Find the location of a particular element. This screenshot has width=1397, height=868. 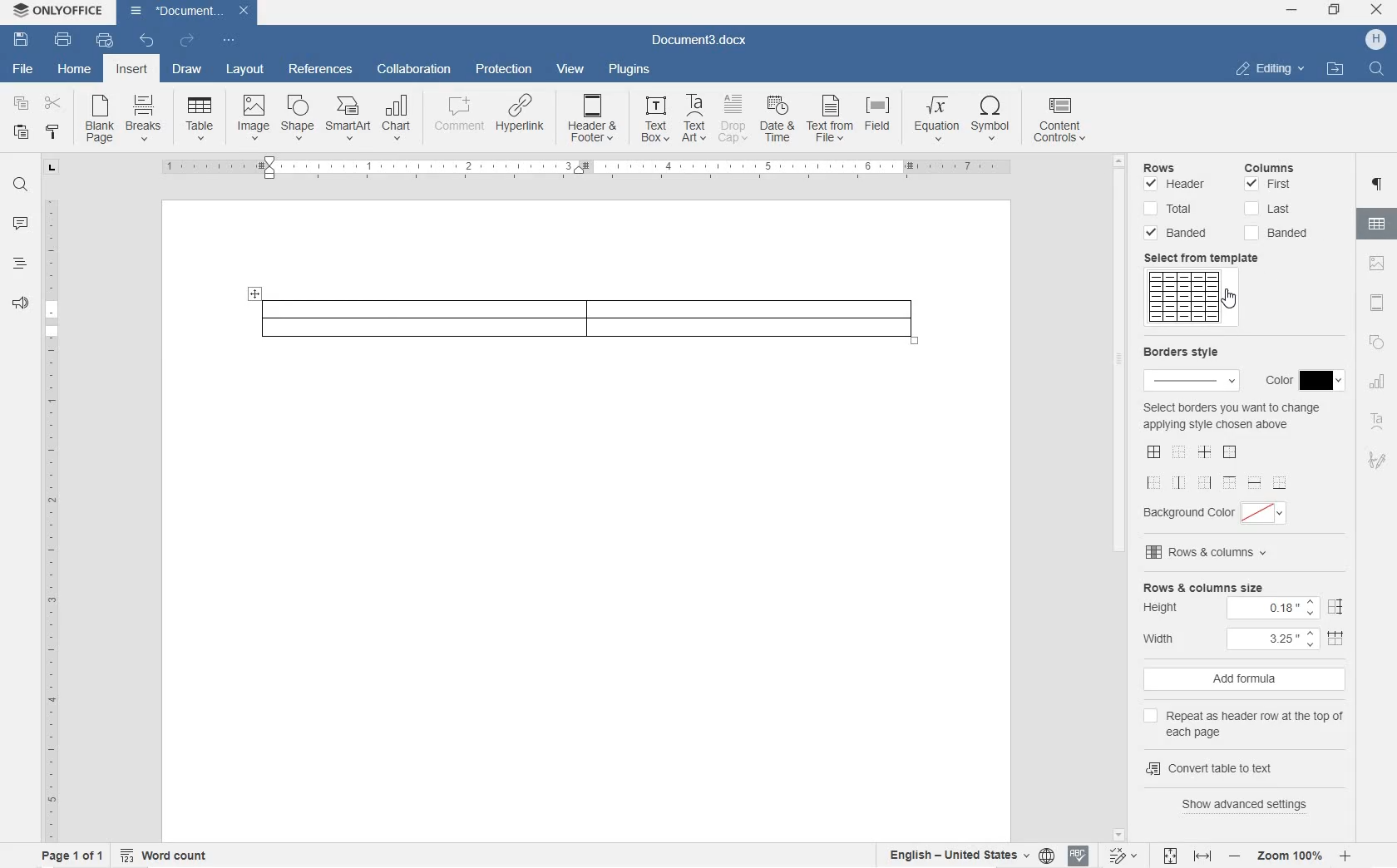

RULER is located at coordinates (49, 516).